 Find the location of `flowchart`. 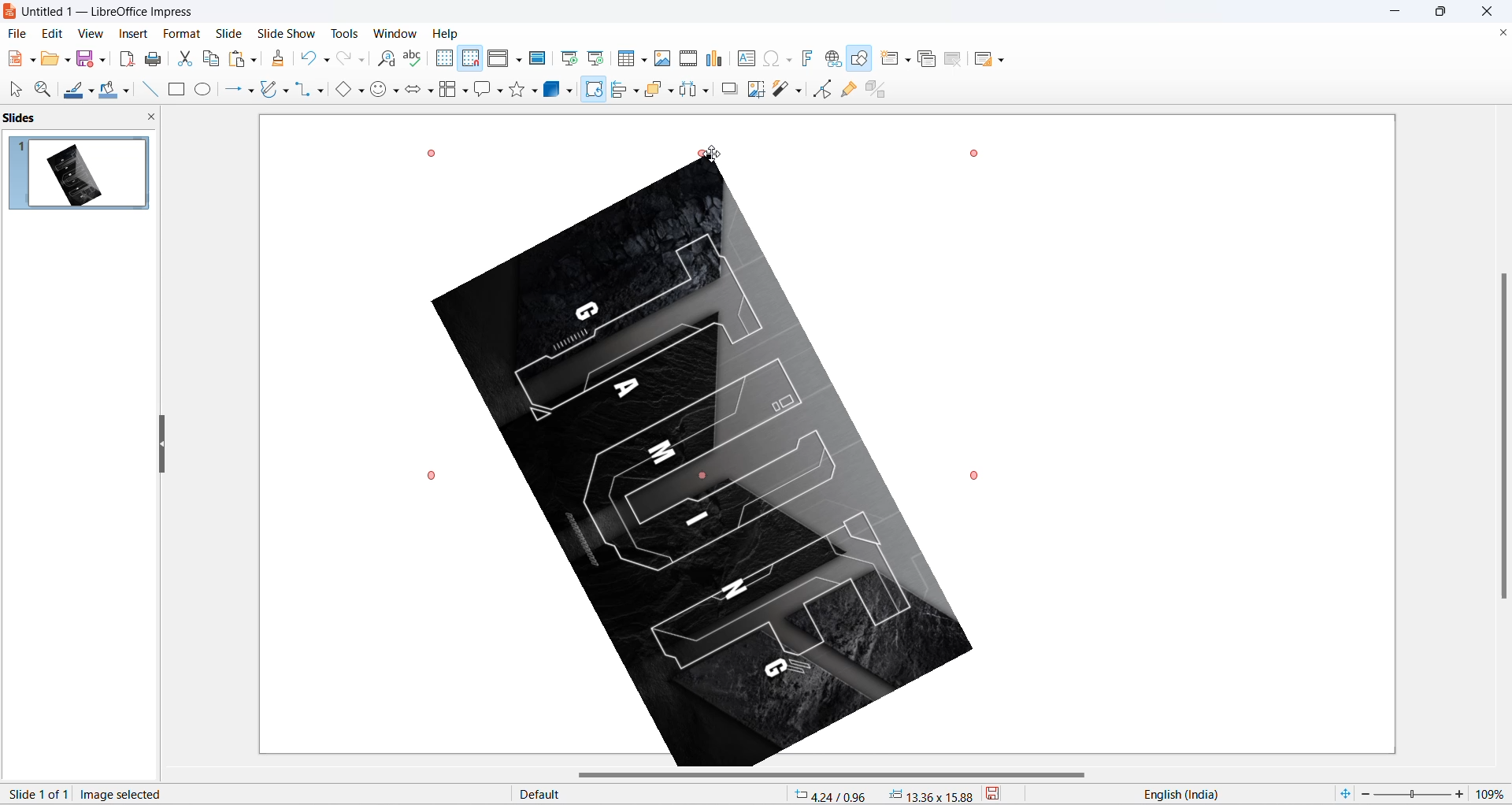

flowchart is located at coordinates (448, 91).